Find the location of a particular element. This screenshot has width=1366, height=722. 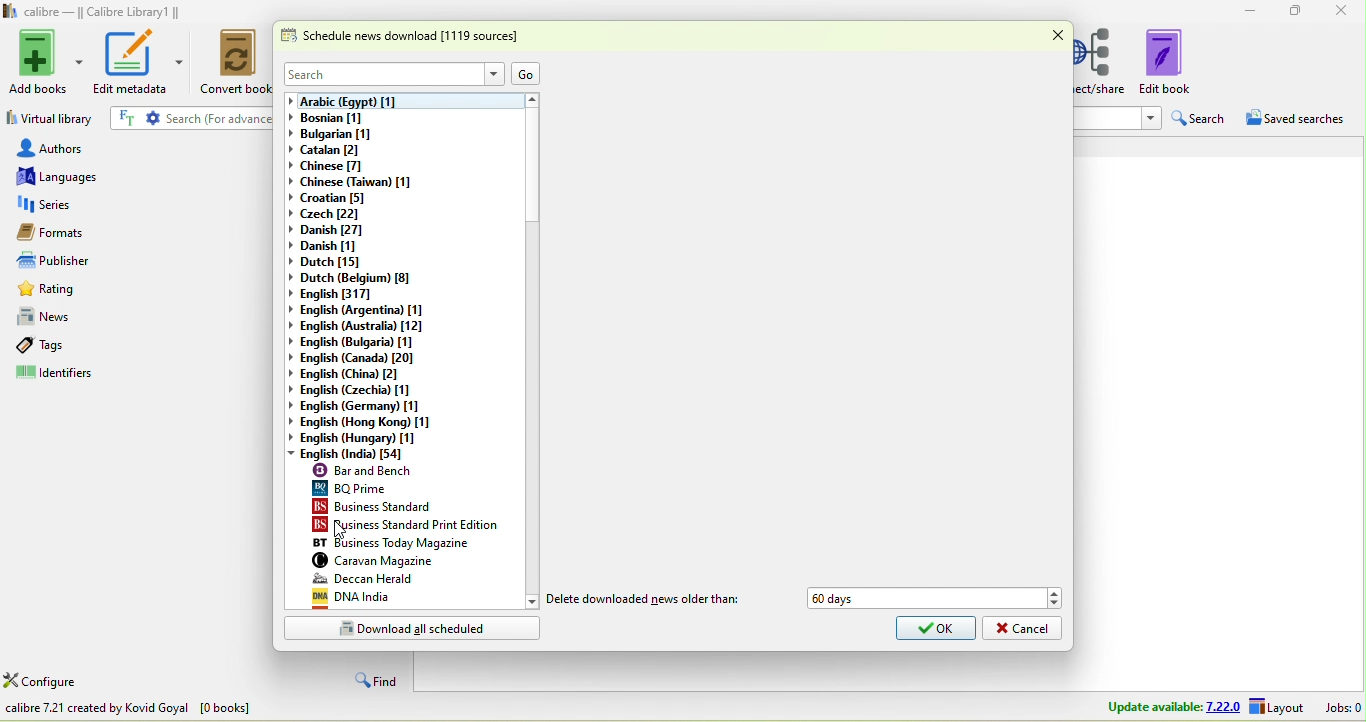

dutch(belgium)[8] is located at coordinates (354, 279).